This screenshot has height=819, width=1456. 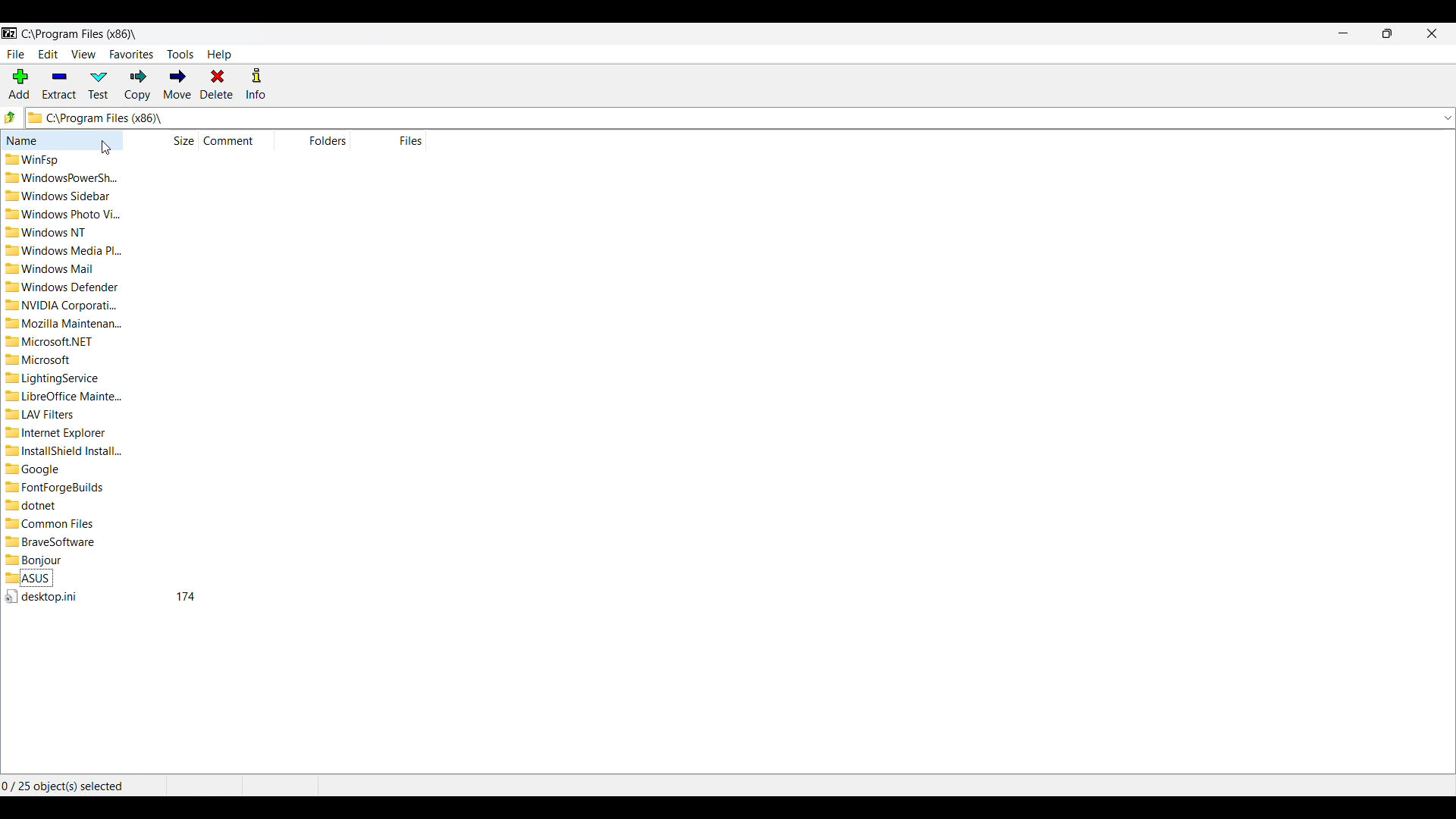 What do you see at coordinates (1388, 33) in the screenshot?
I see `Show interface in a smaller tab` at bounding box center [1388, 33].